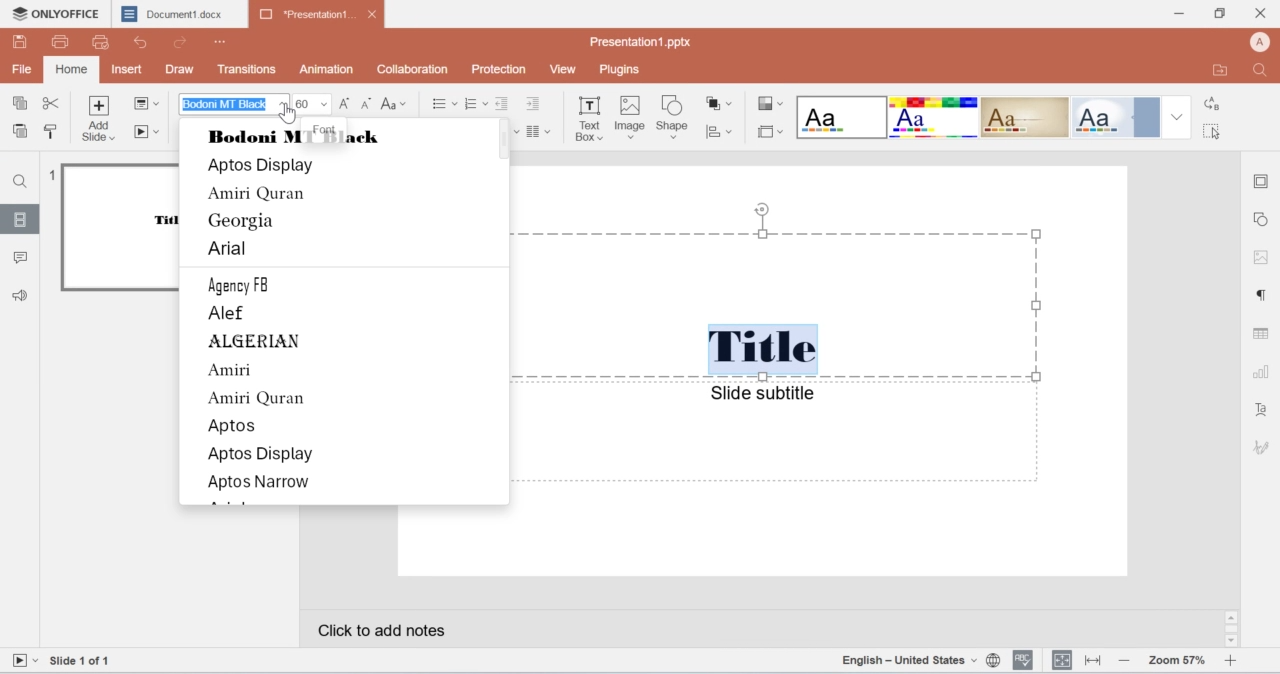  Describe the element at coordinates (179, 13) in the screenshot. I see `Document1.docx` at that location.